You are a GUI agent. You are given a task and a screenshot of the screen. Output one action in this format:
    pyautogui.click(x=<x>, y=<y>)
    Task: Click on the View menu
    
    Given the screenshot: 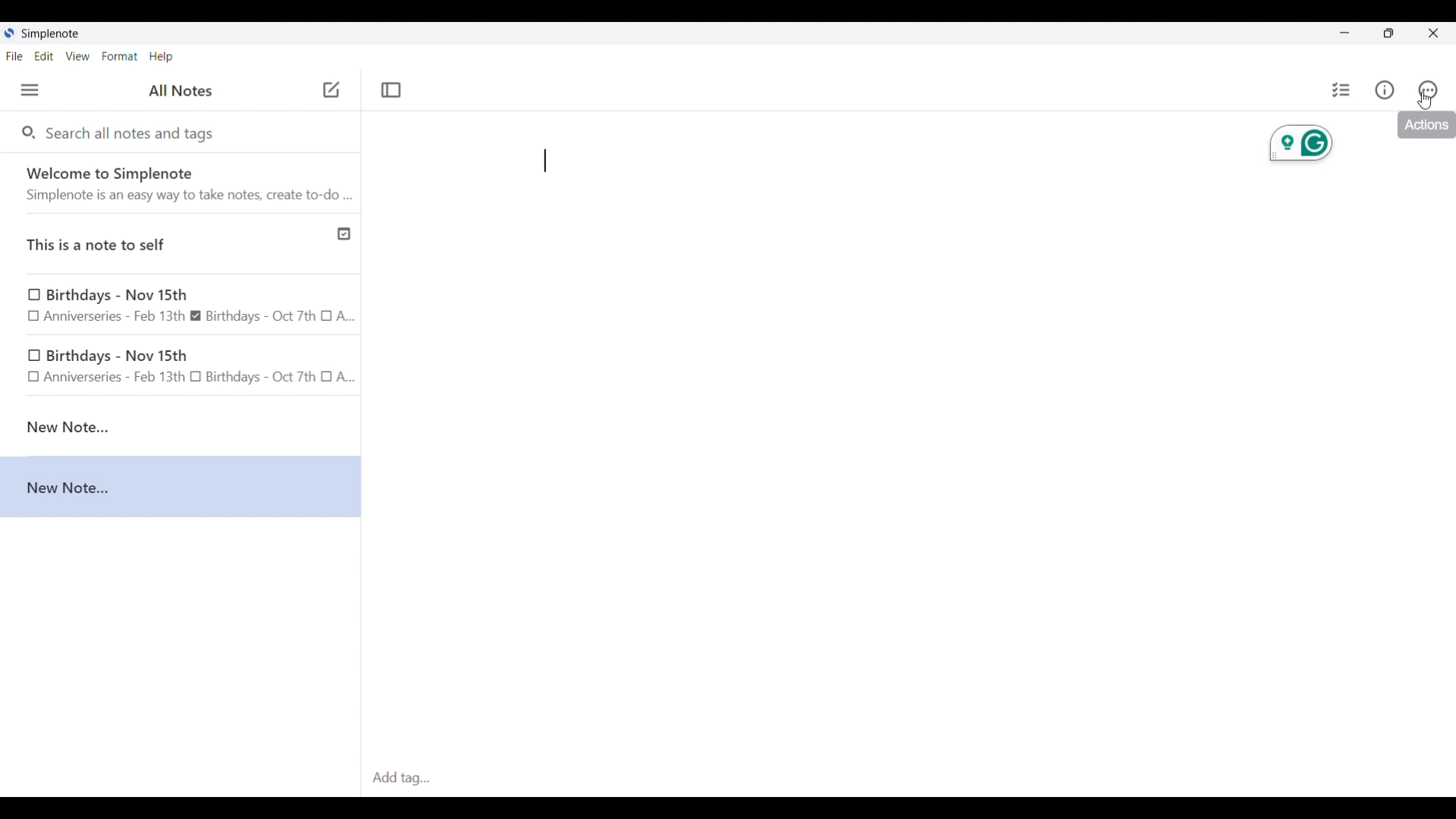 What is the action you would take?
    pyautogui.click(x=78, y=55)
    